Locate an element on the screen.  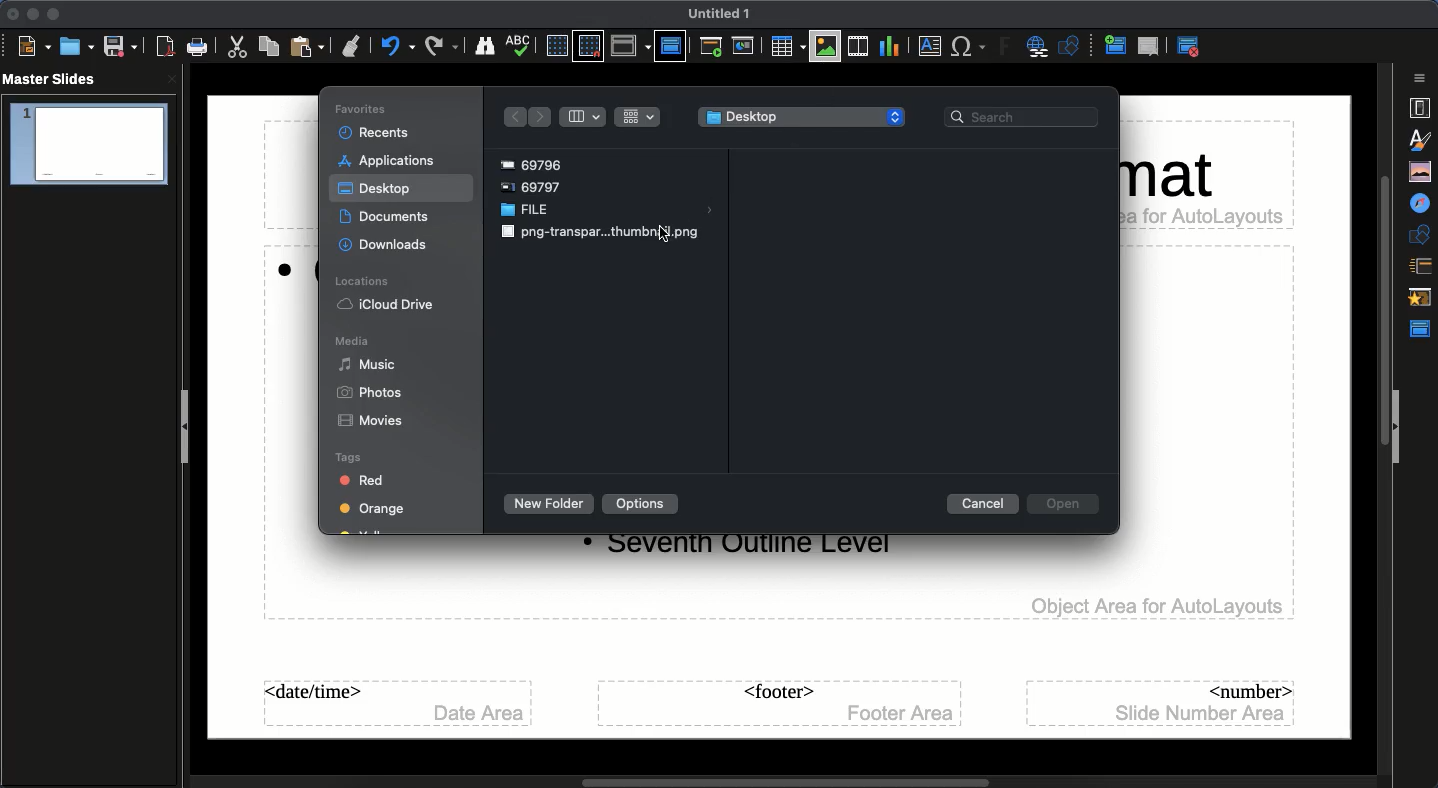
Open is located at coordinates (1061, 504).